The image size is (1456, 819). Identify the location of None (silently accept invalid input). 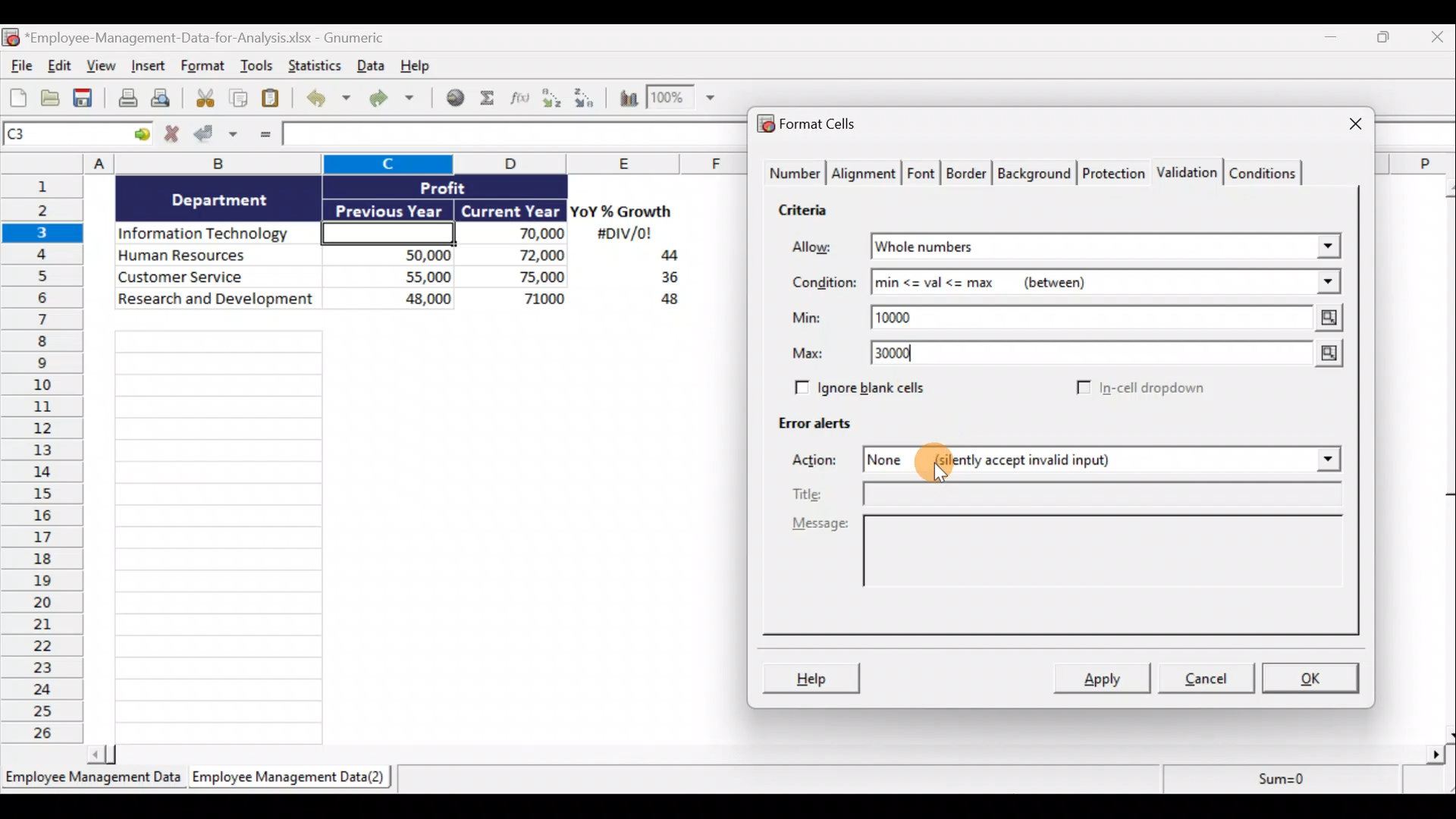
(1051, 462).